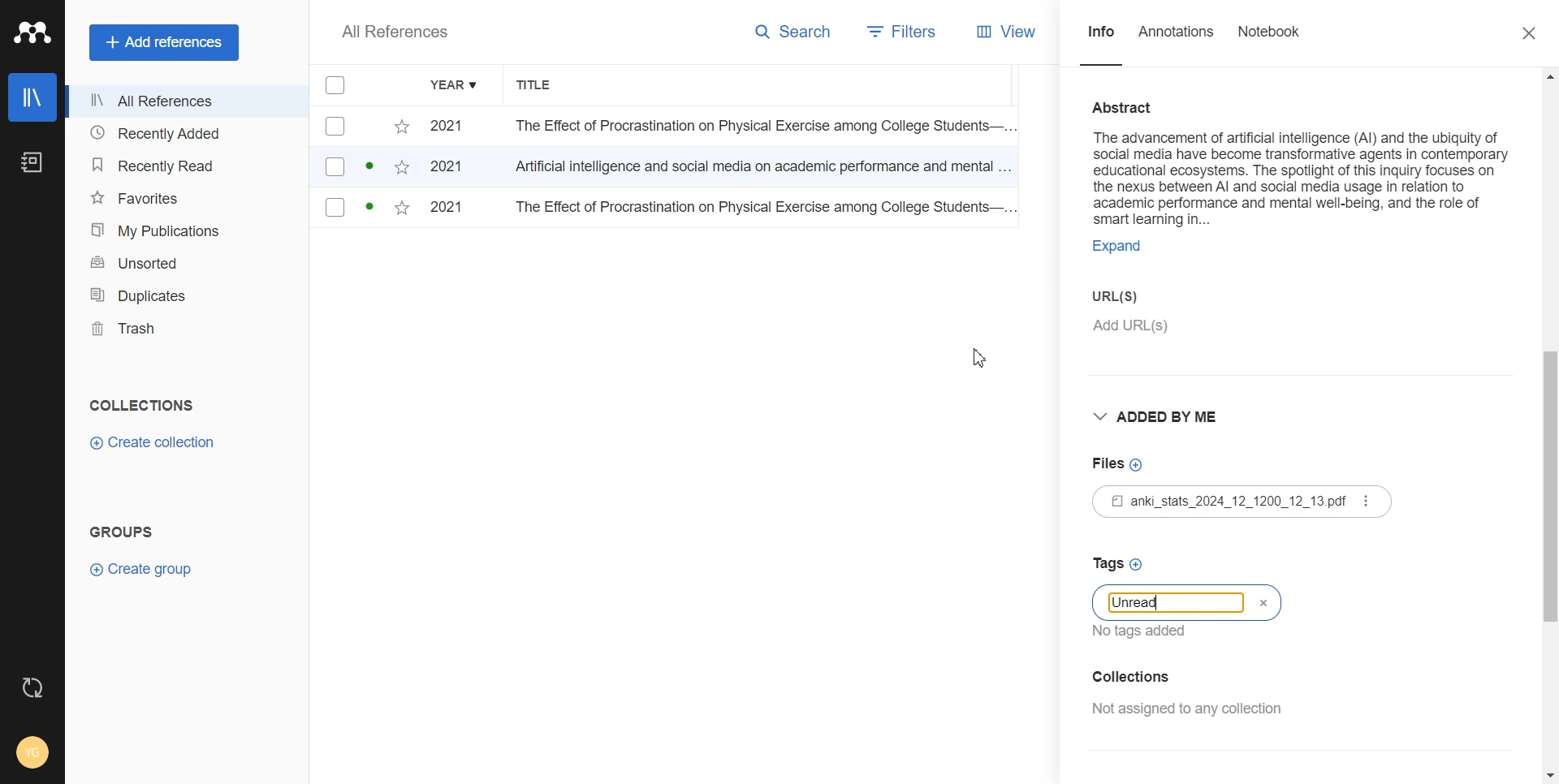  Describe the element at coordinates (184, 165) in the screenshot. I see `Recently Read` at that location.